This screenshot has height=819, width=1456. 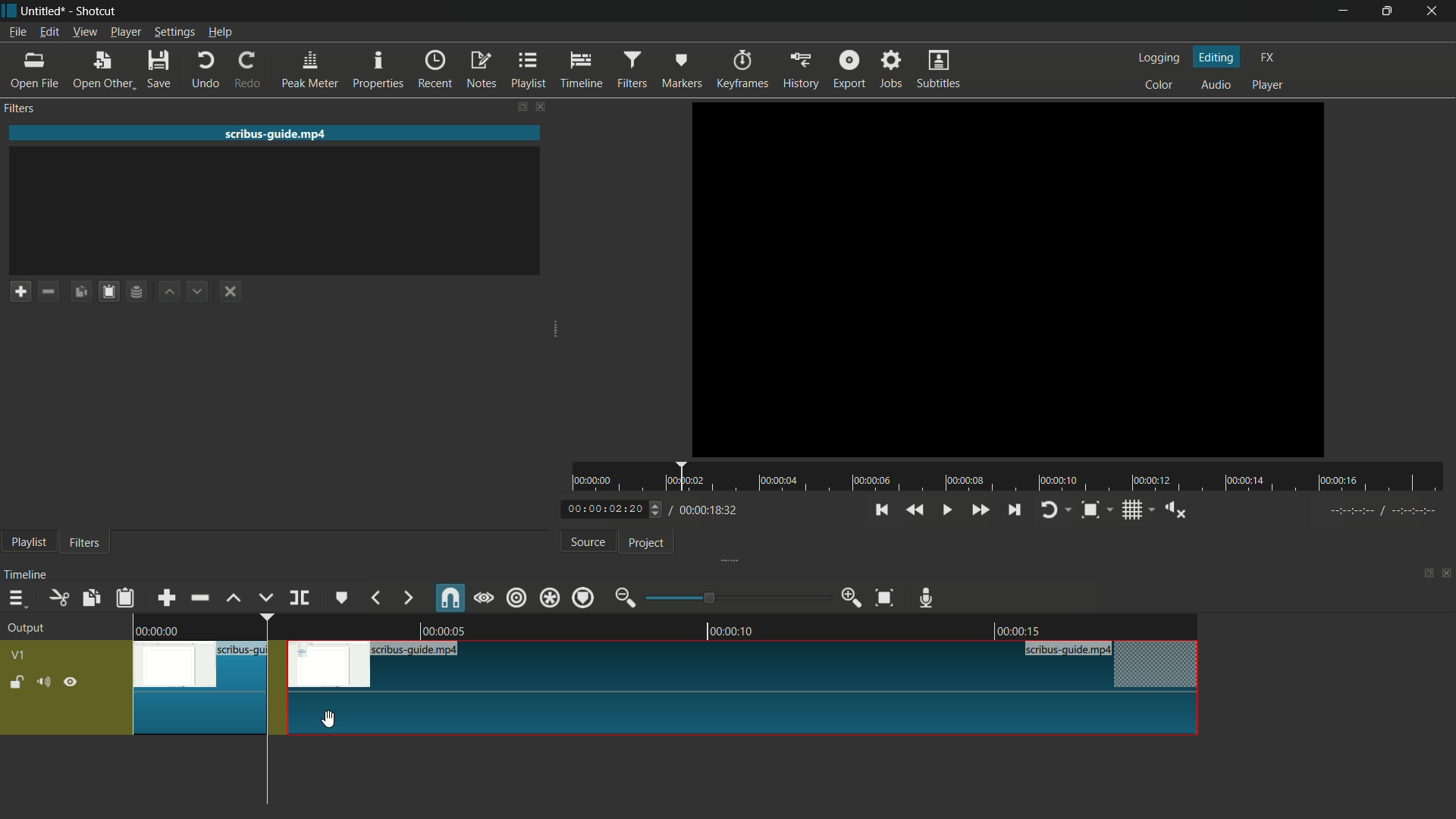 I want to click on filters, so click(x=634, y=70).